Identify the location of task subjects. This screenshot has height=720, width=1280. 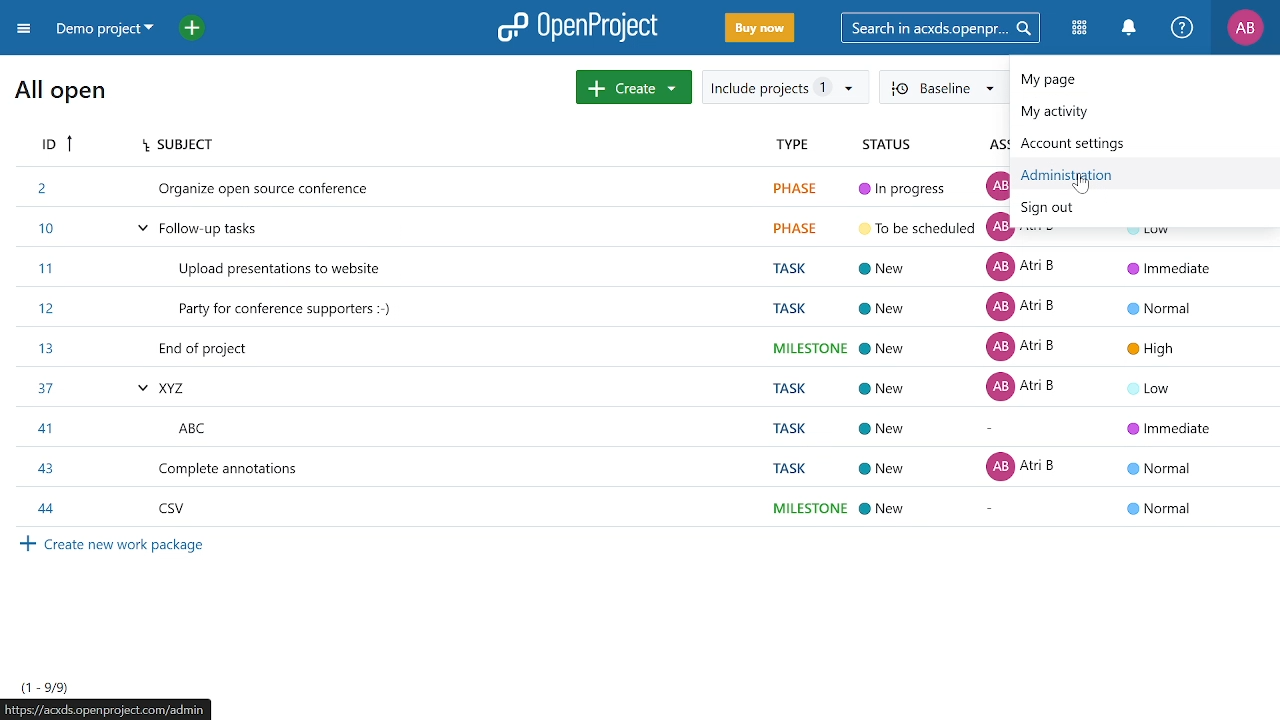
(273, 349).